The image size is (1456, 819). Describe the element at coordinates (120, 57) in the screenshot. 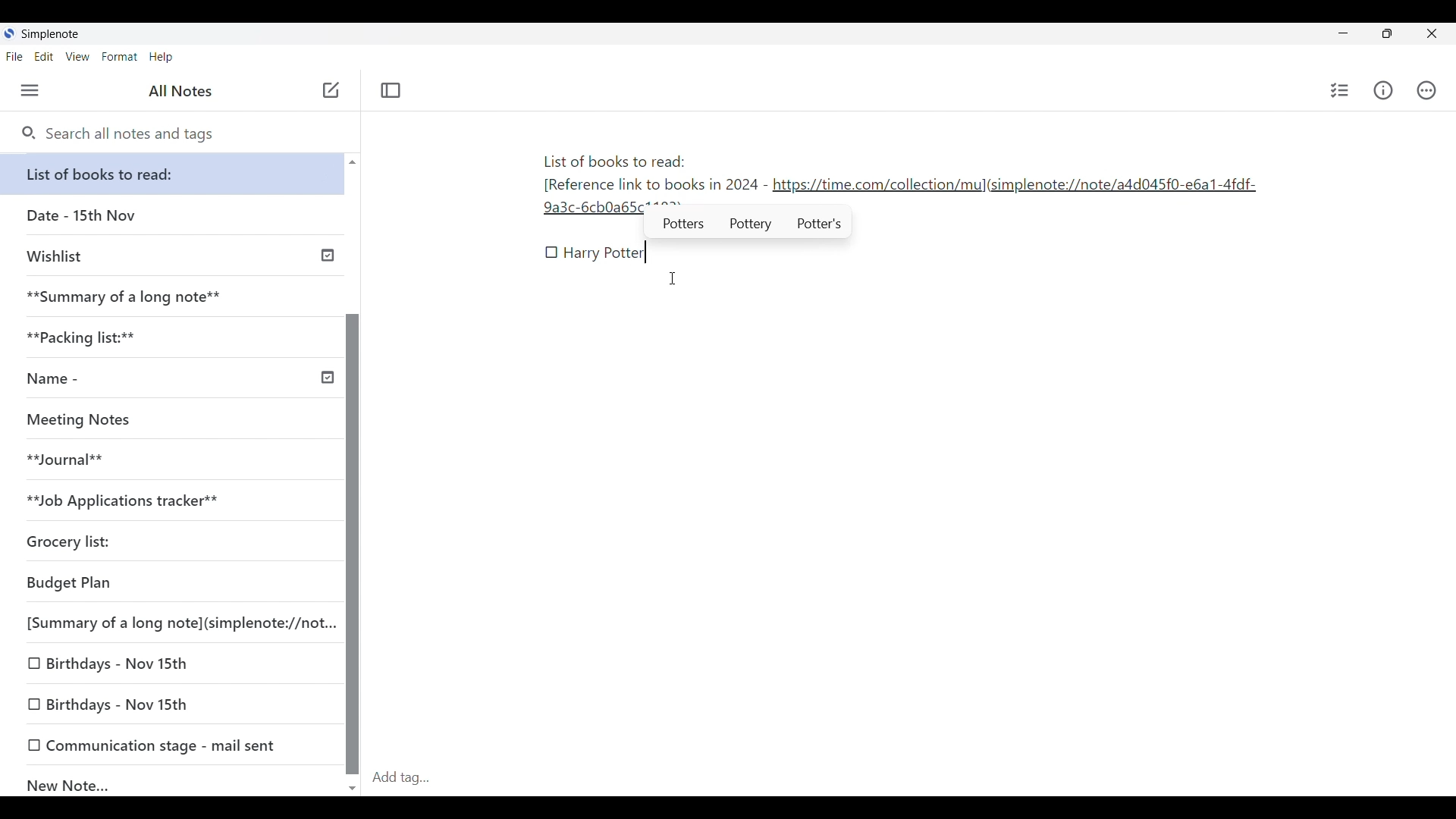

I see `Format` at that location.